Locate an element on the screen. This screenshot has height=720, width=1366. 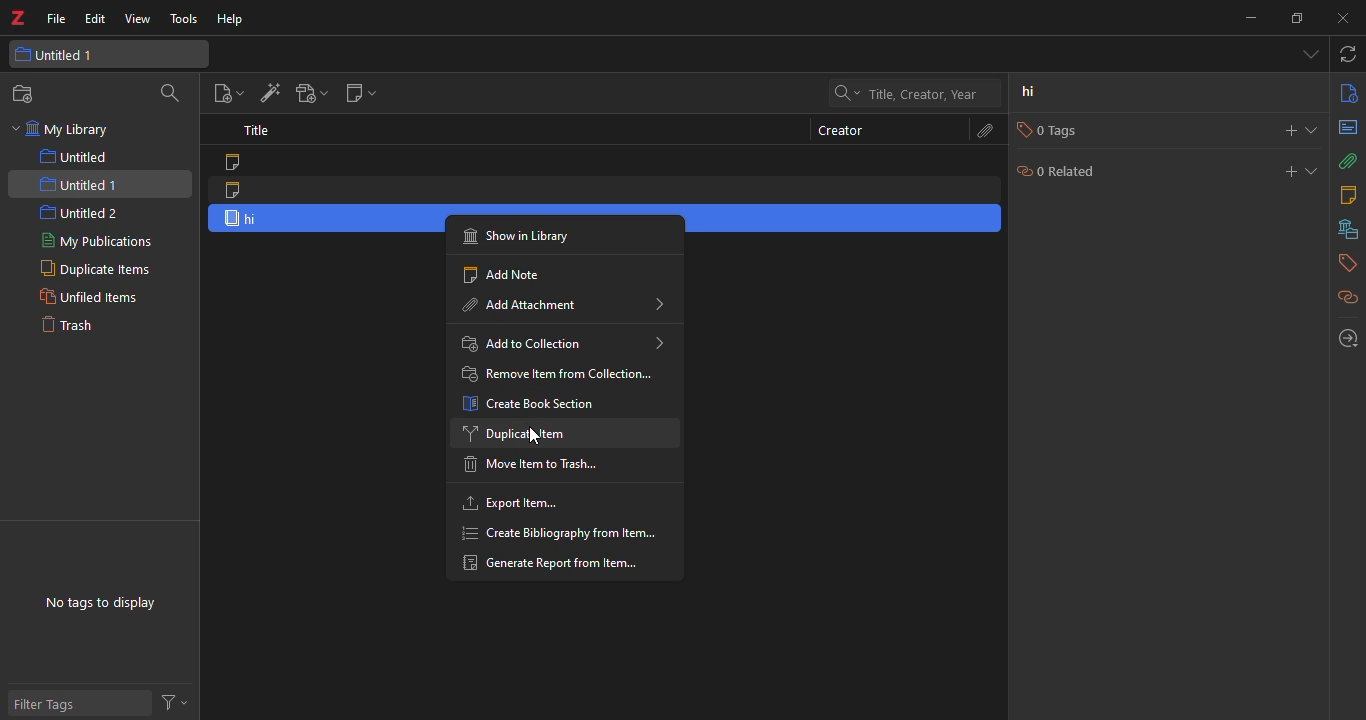
remove item from collection is located at coordinates (561, 375).